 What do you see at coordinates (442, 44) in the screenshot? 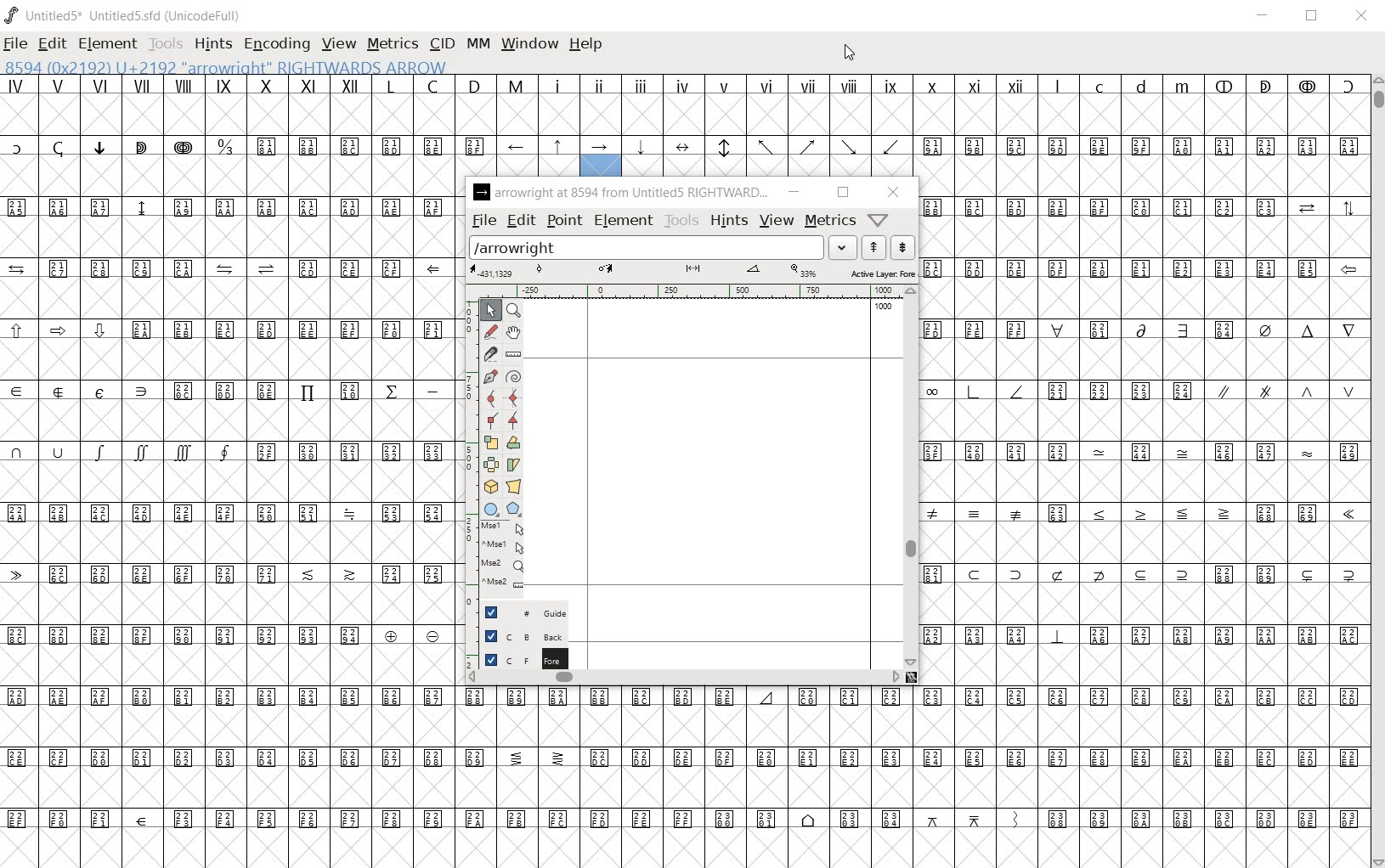
I see `CID` at bounding box center [442, 44].